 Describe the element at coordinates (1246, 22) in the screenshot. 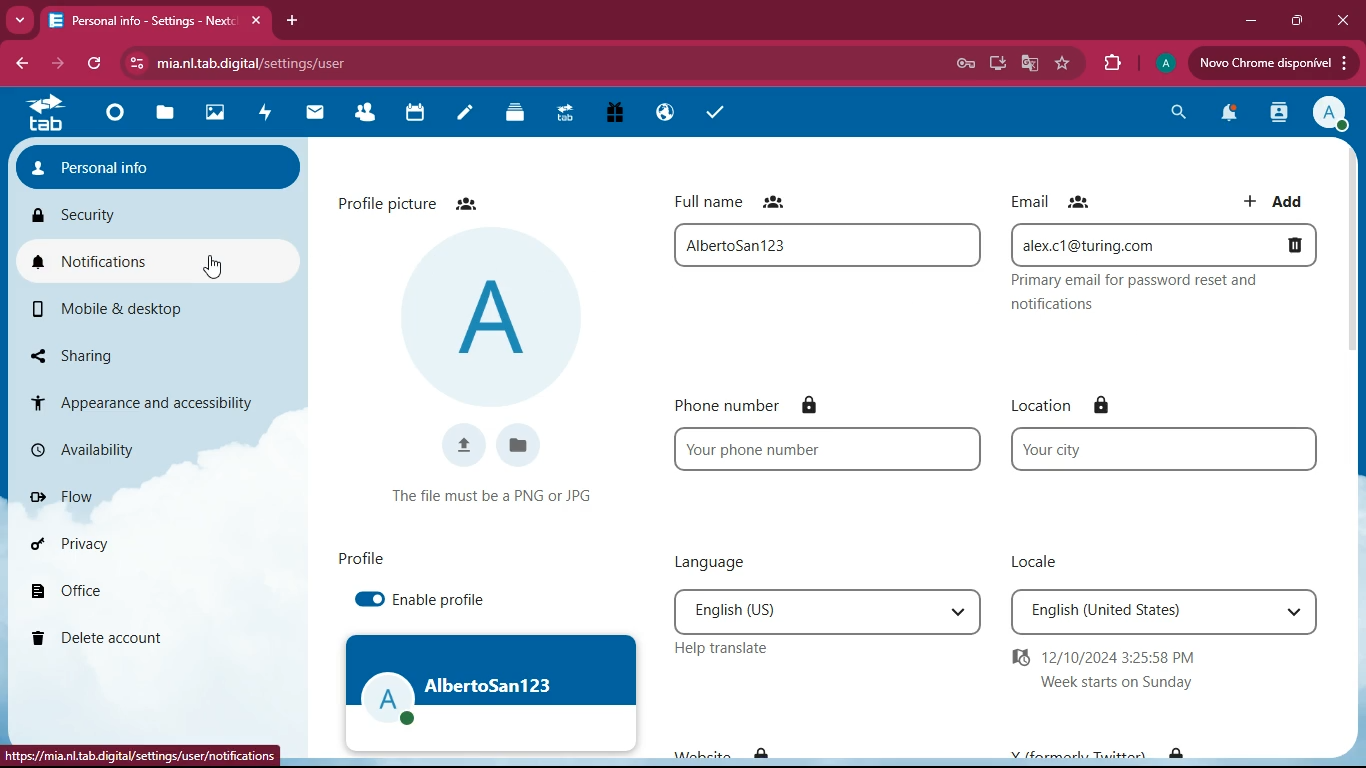

I see `minimize` at that location.